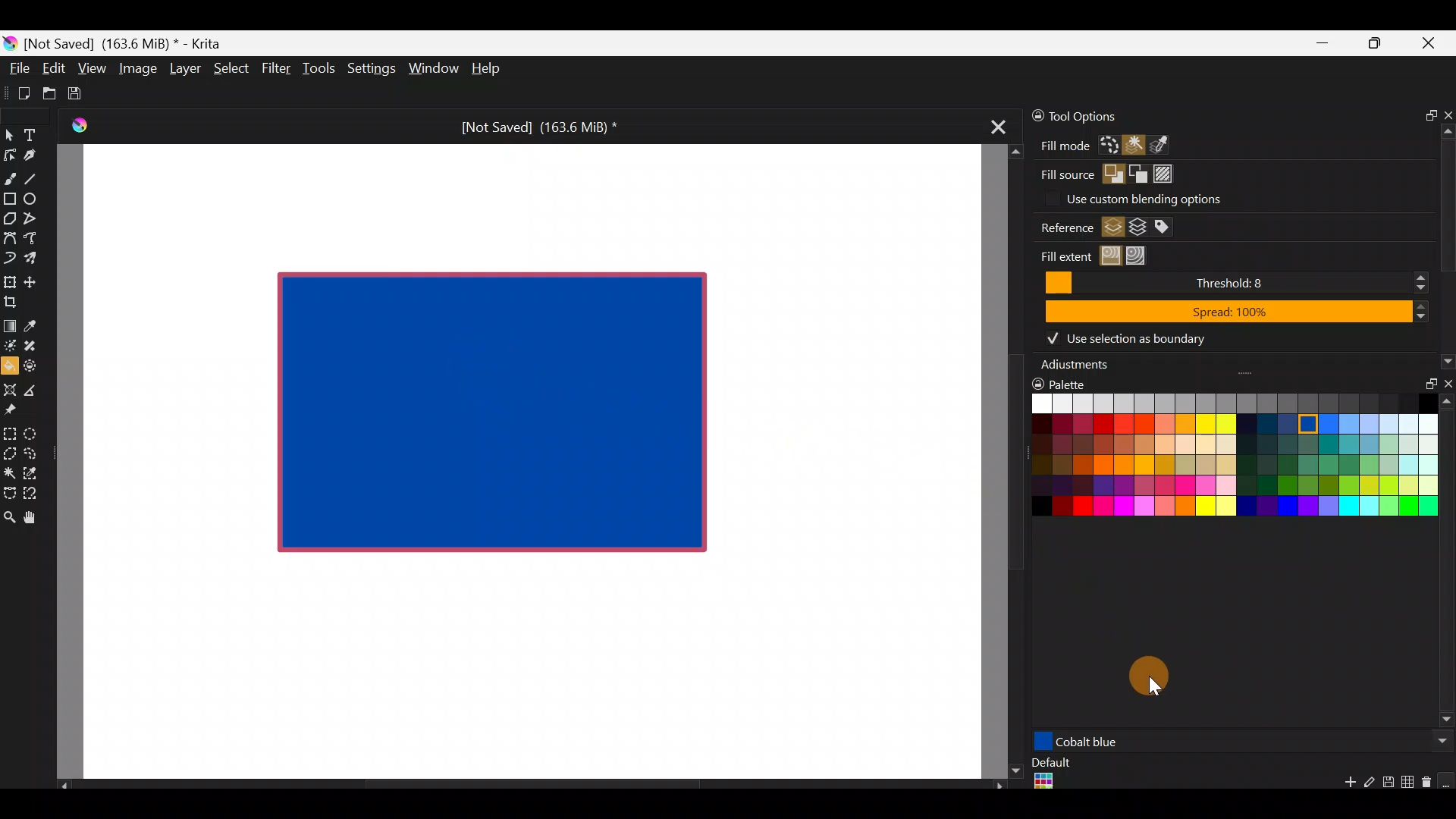  Describe the element at coordinates (1061, 228) in the screenshot. I see `Reference` at that location.